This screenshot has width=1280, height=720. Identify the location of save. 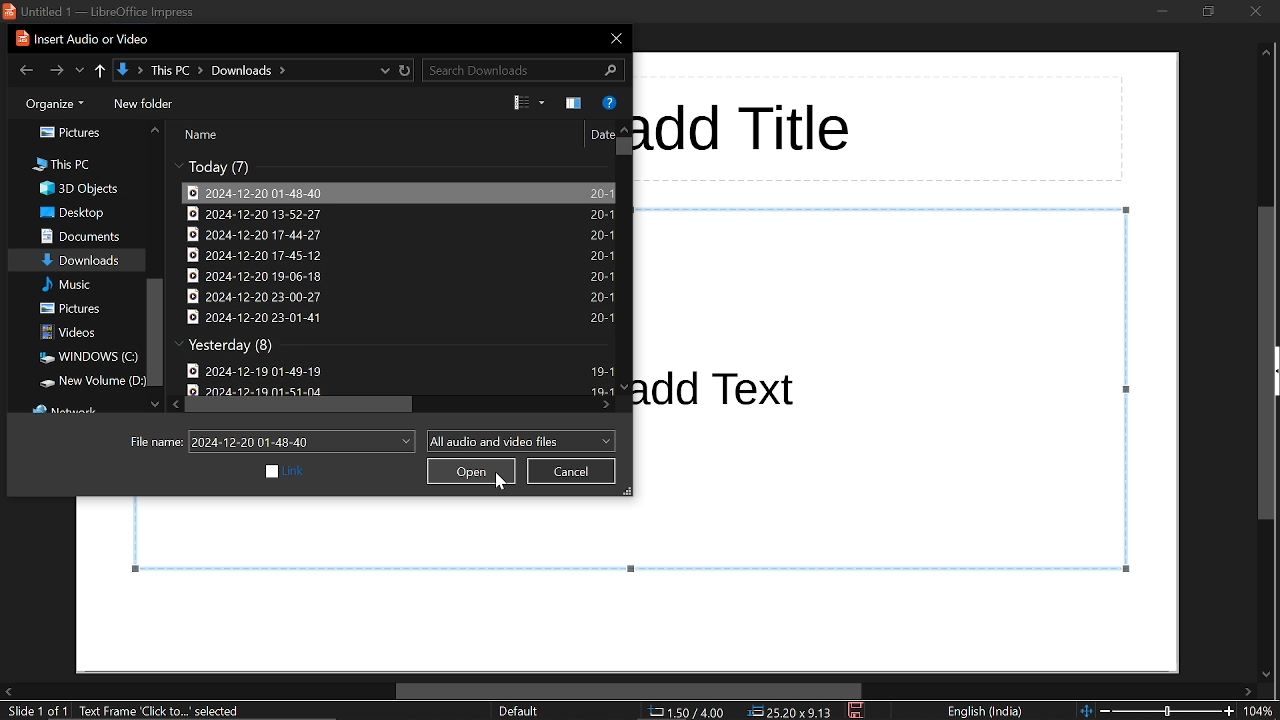
(857, 711).